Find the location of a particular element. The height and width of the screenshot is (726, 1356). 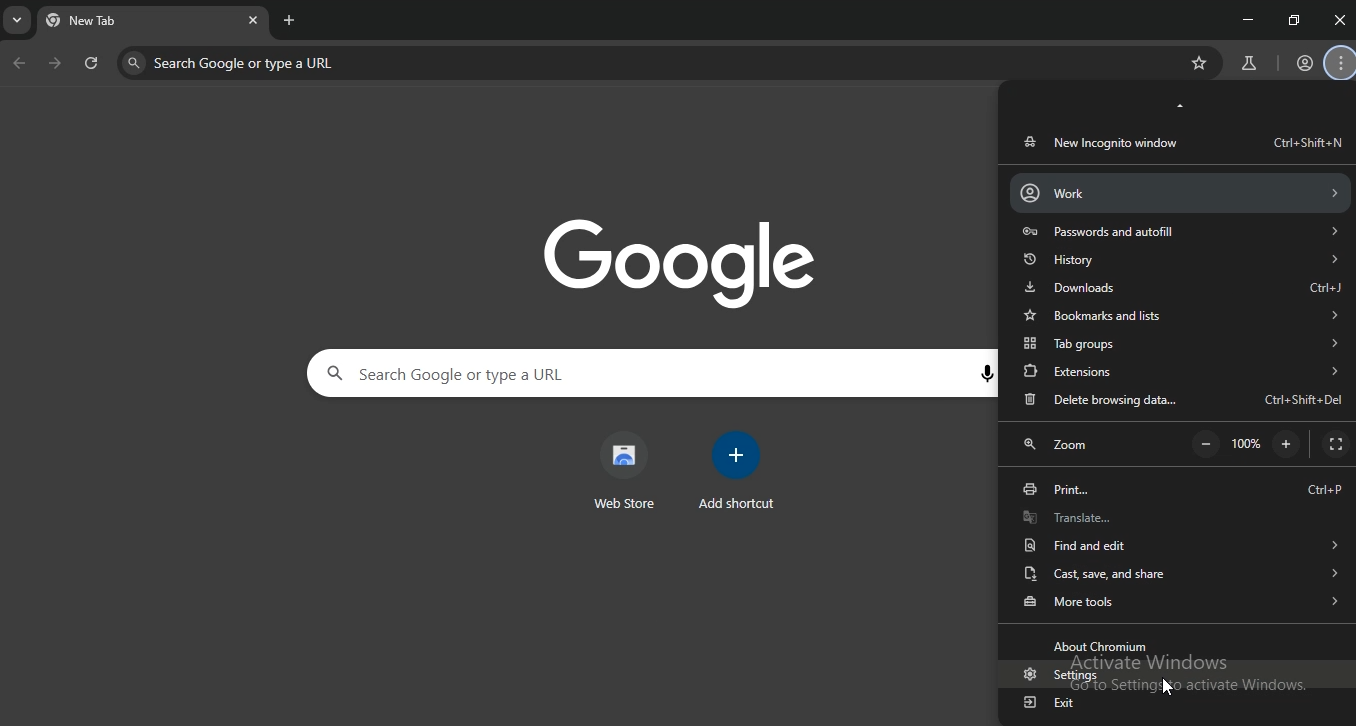

translate is located at coordinates (1177, 516).